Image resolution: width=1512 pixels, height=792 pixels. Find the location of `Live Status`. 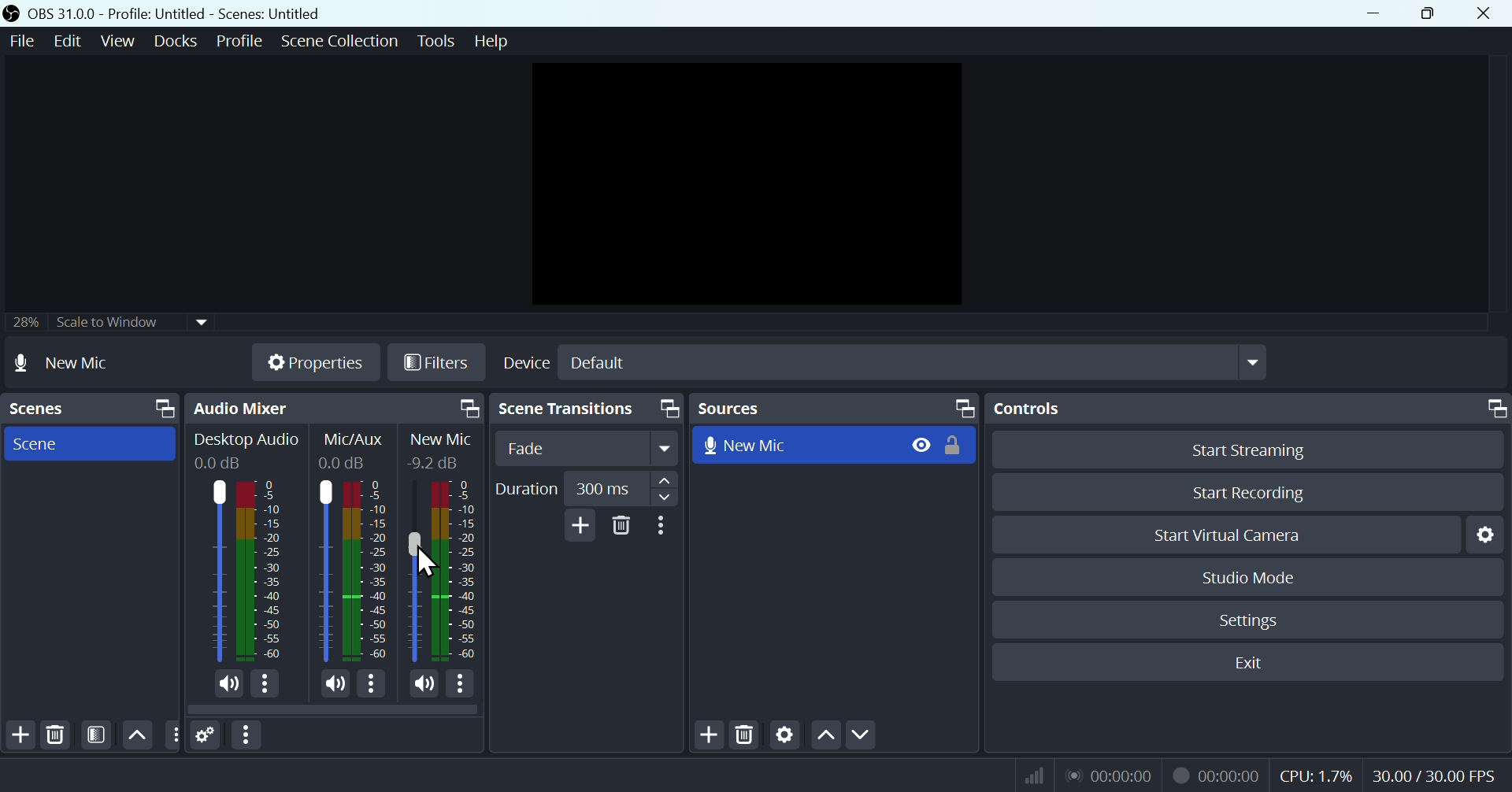

Live Status is located at coordinates (1108, 774).